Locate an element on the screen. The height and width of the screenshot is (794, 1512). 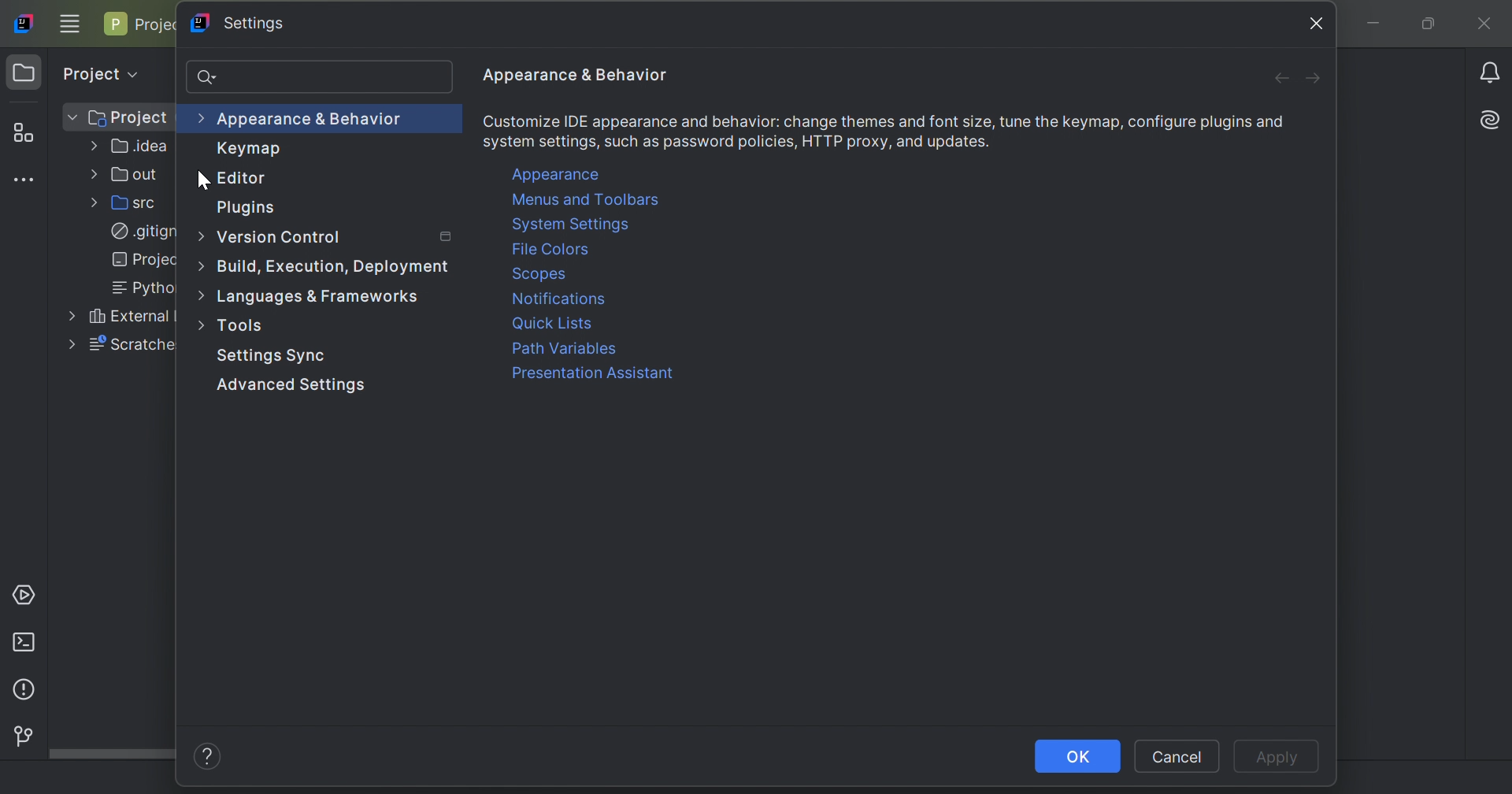
Tools is located at coordinates (235, 325).